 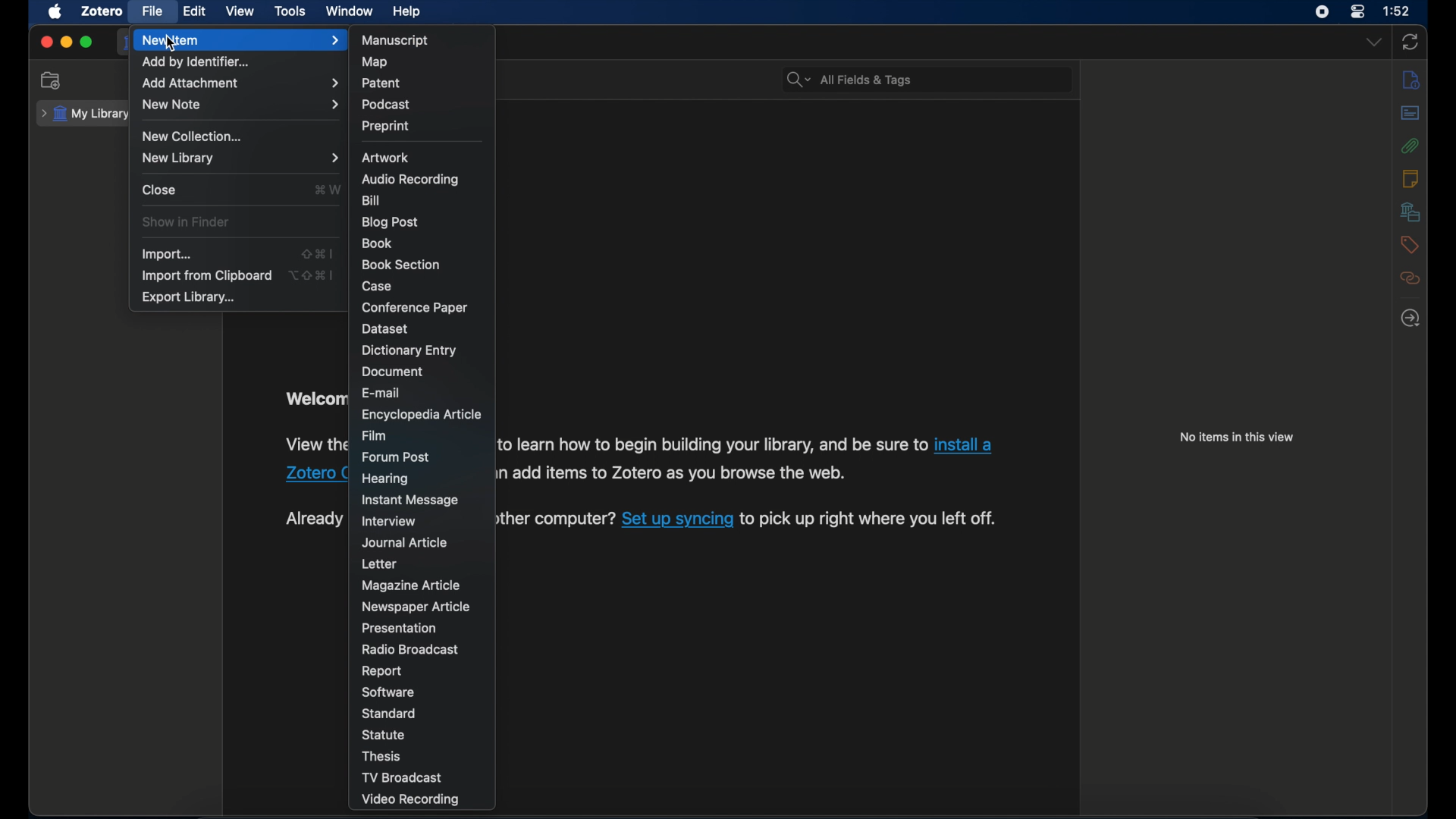 What do you see at coordinates (312, 519) in the screenshot?
I see `Already` at bounding box center [312, 519].